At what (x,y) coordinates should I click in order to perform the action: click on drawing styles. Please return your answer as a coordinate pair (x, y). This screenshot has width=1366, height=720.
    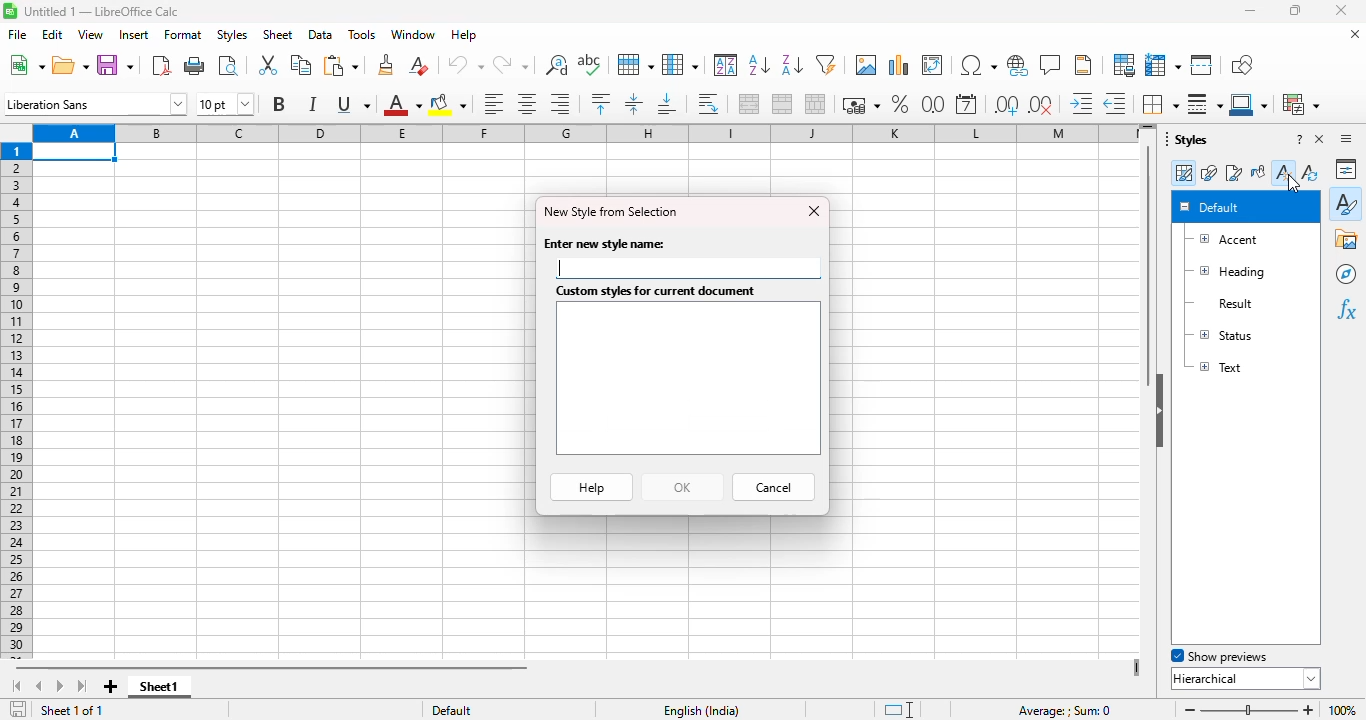
    Looking at the image, I should click on (1209, 173).